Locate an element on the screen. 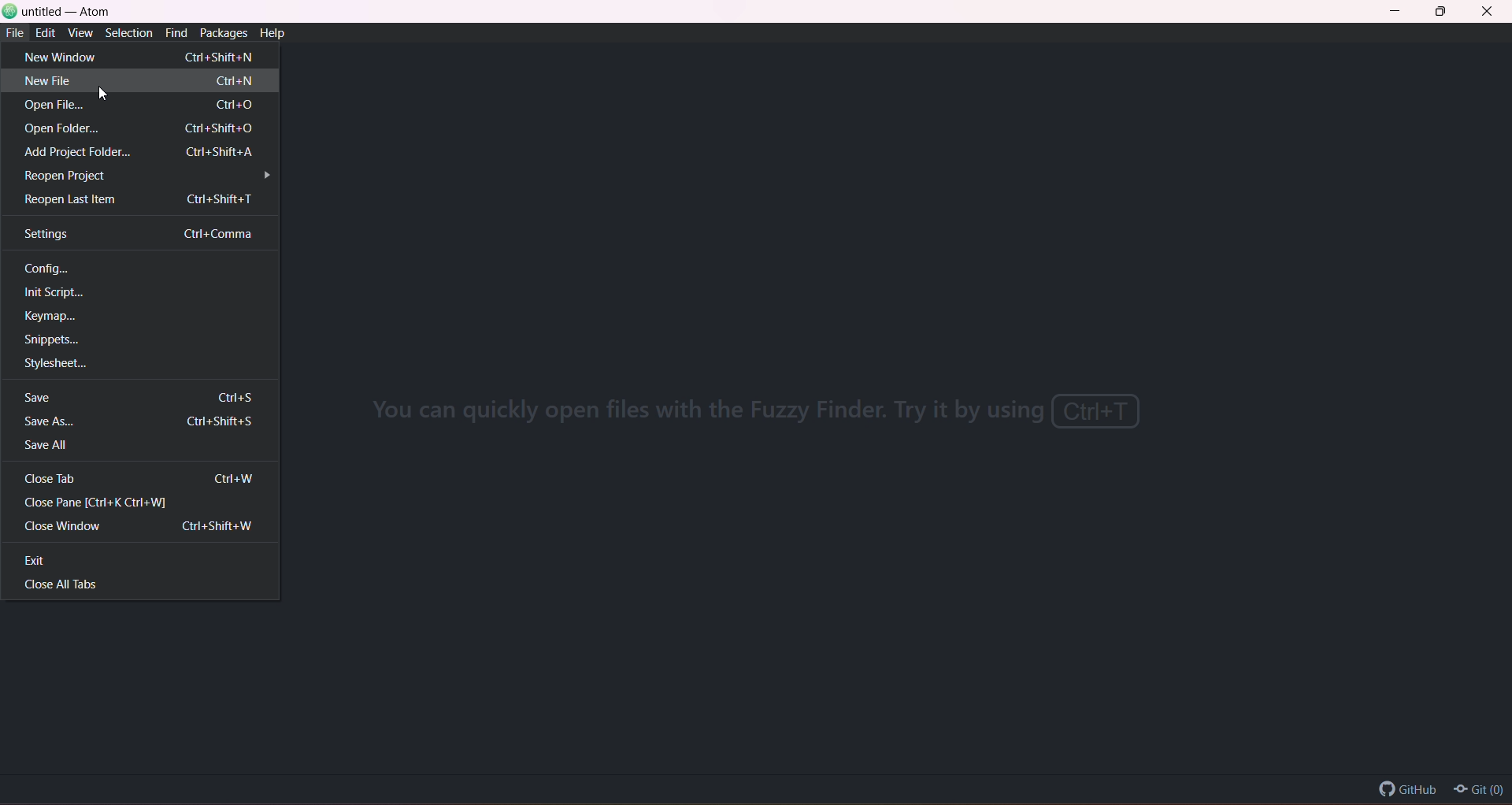  Save As... Ctrl+Shift+S is located at coordinates (142, 421).